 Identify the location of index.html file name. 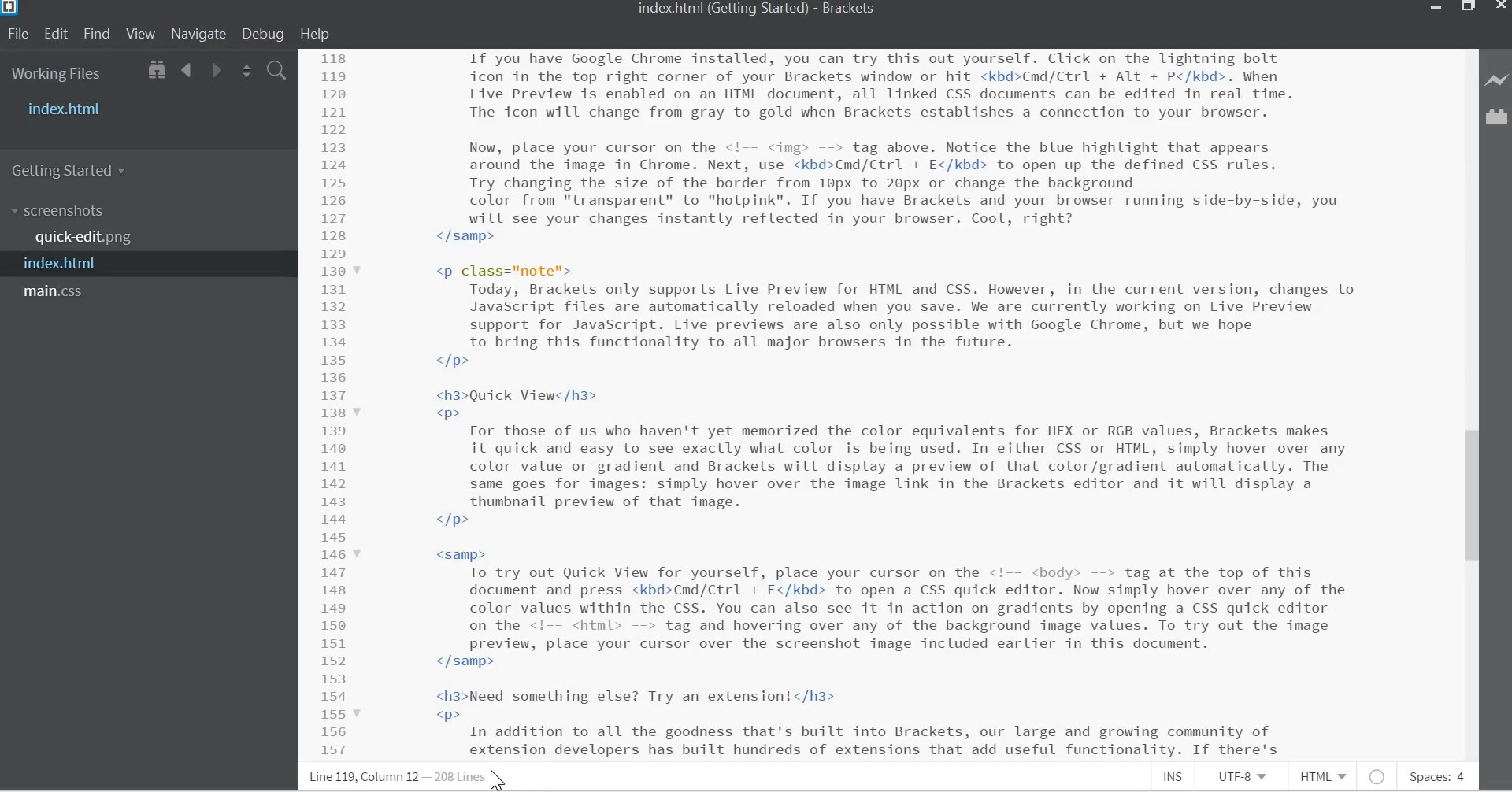
(146, 263).